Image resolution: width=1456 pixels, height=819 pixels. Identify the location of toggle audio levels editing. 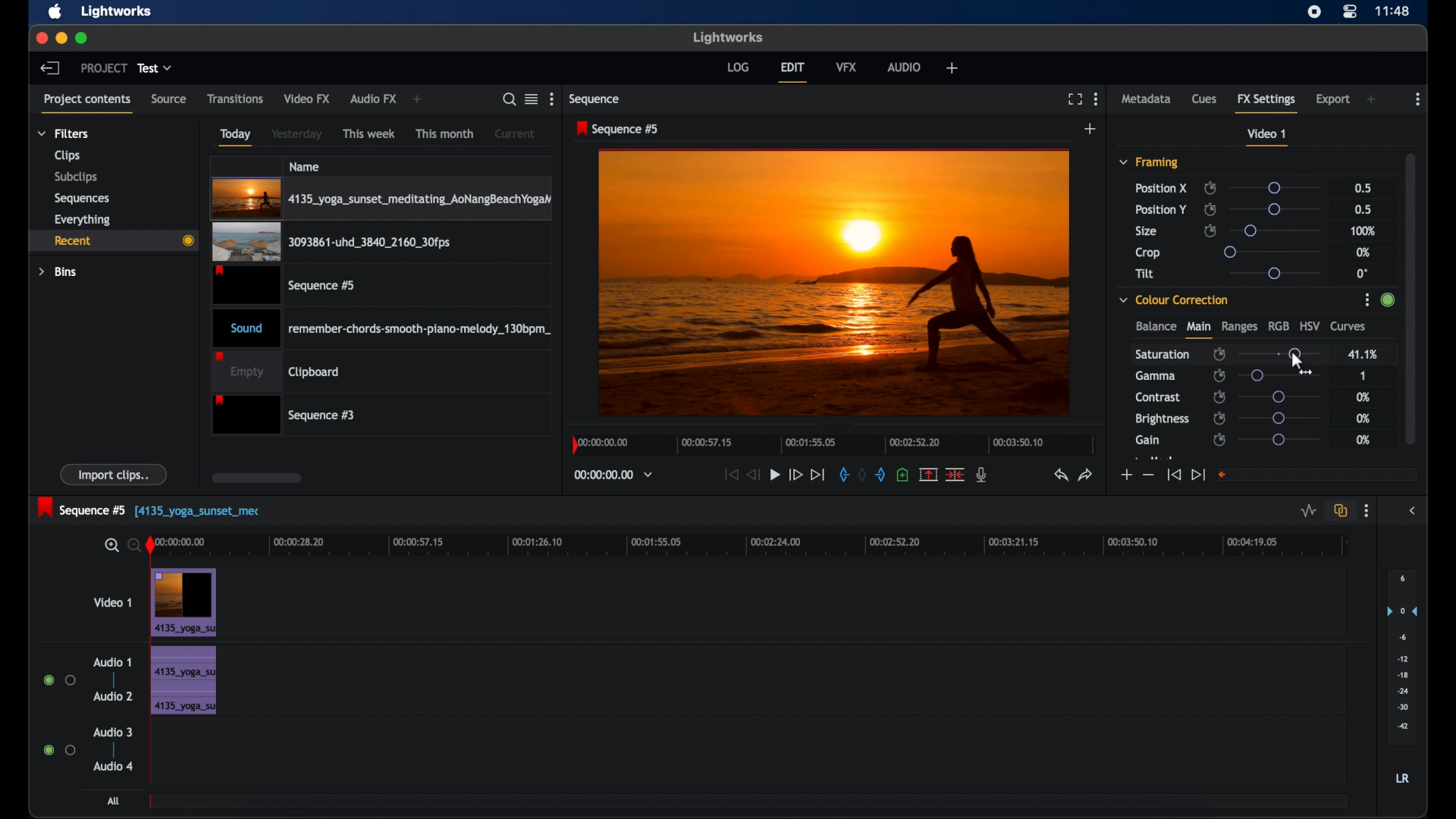
(1307, 510).